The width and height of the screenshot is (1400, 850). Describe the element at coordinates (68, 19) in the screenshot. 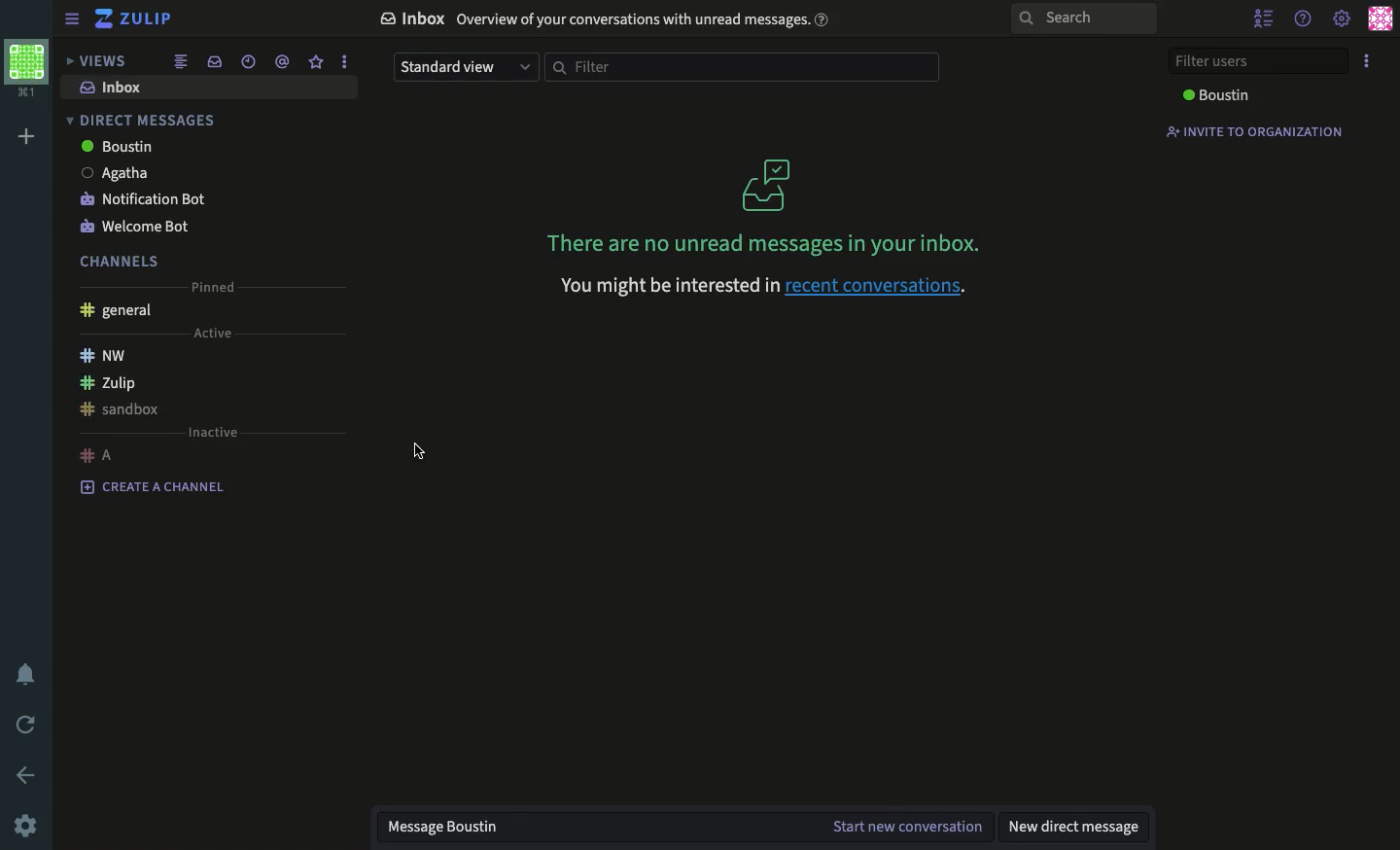

I see `sidebar ` at that location.